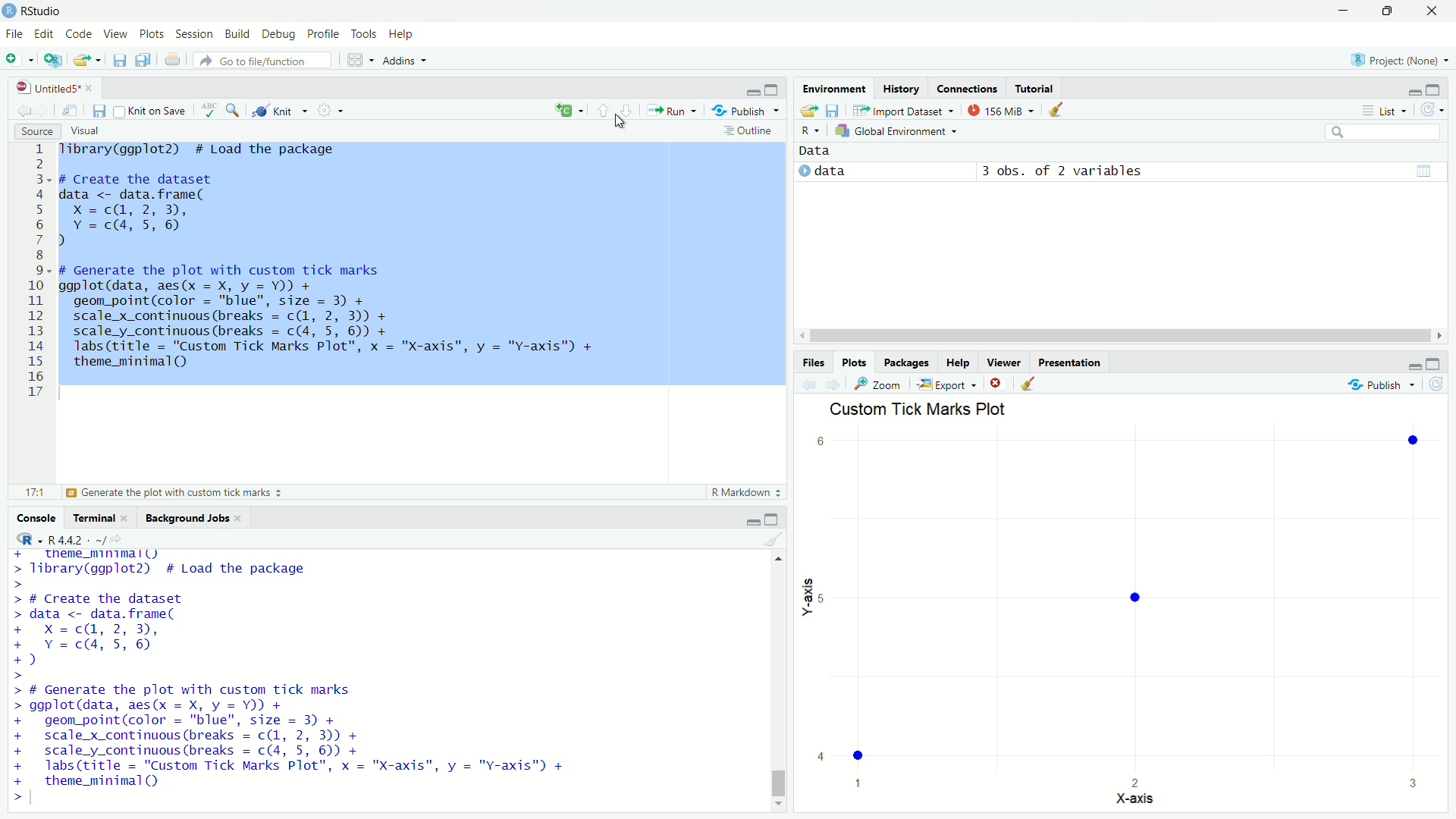 The image size is (1456, 819). What do you see at coordinates (189, 518) in the screenshot?
I see `background jobs` at bounding box center [189, 518].